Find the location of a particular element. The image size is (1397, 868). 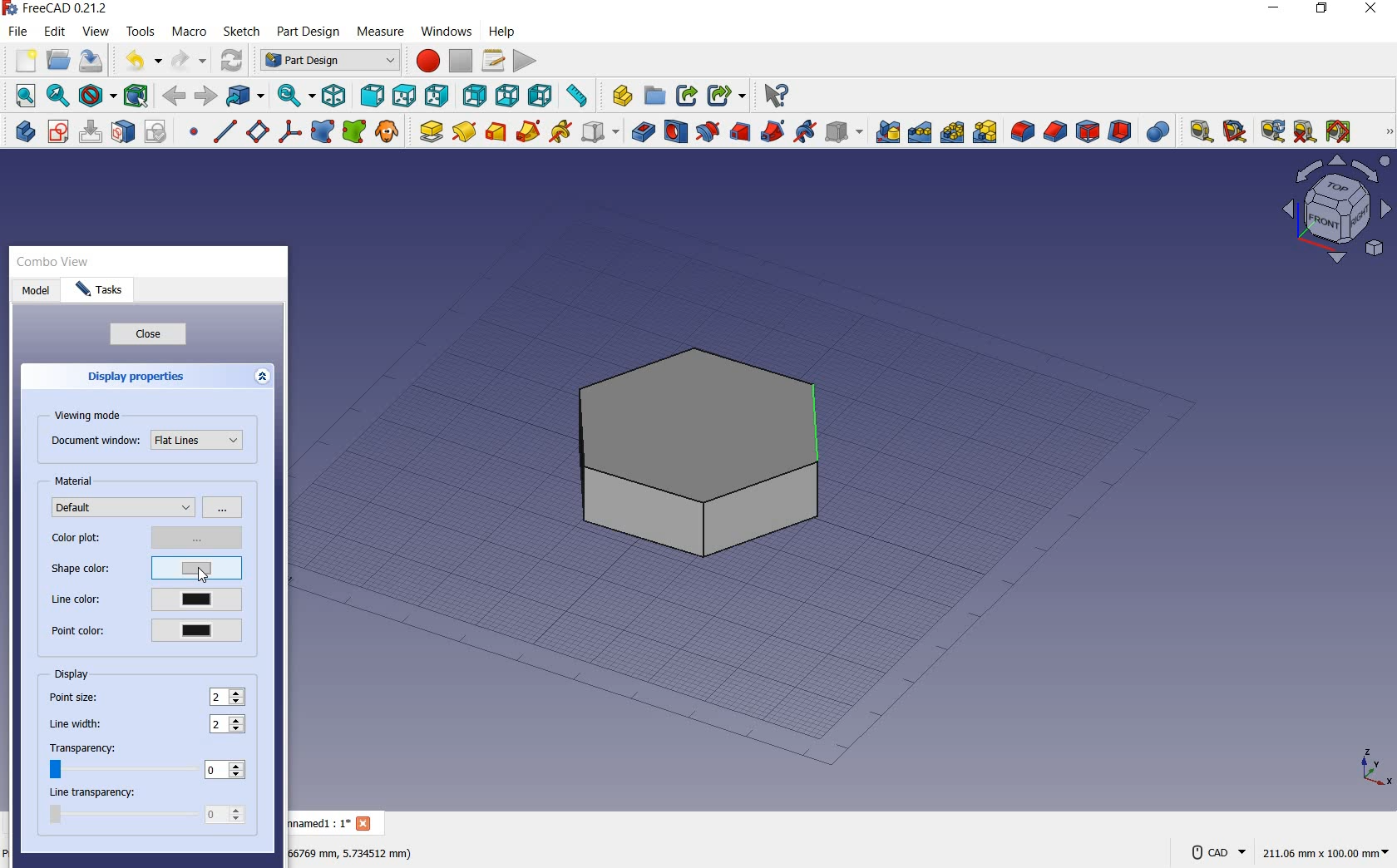

go to linked object is located at coordinates (247, 96).